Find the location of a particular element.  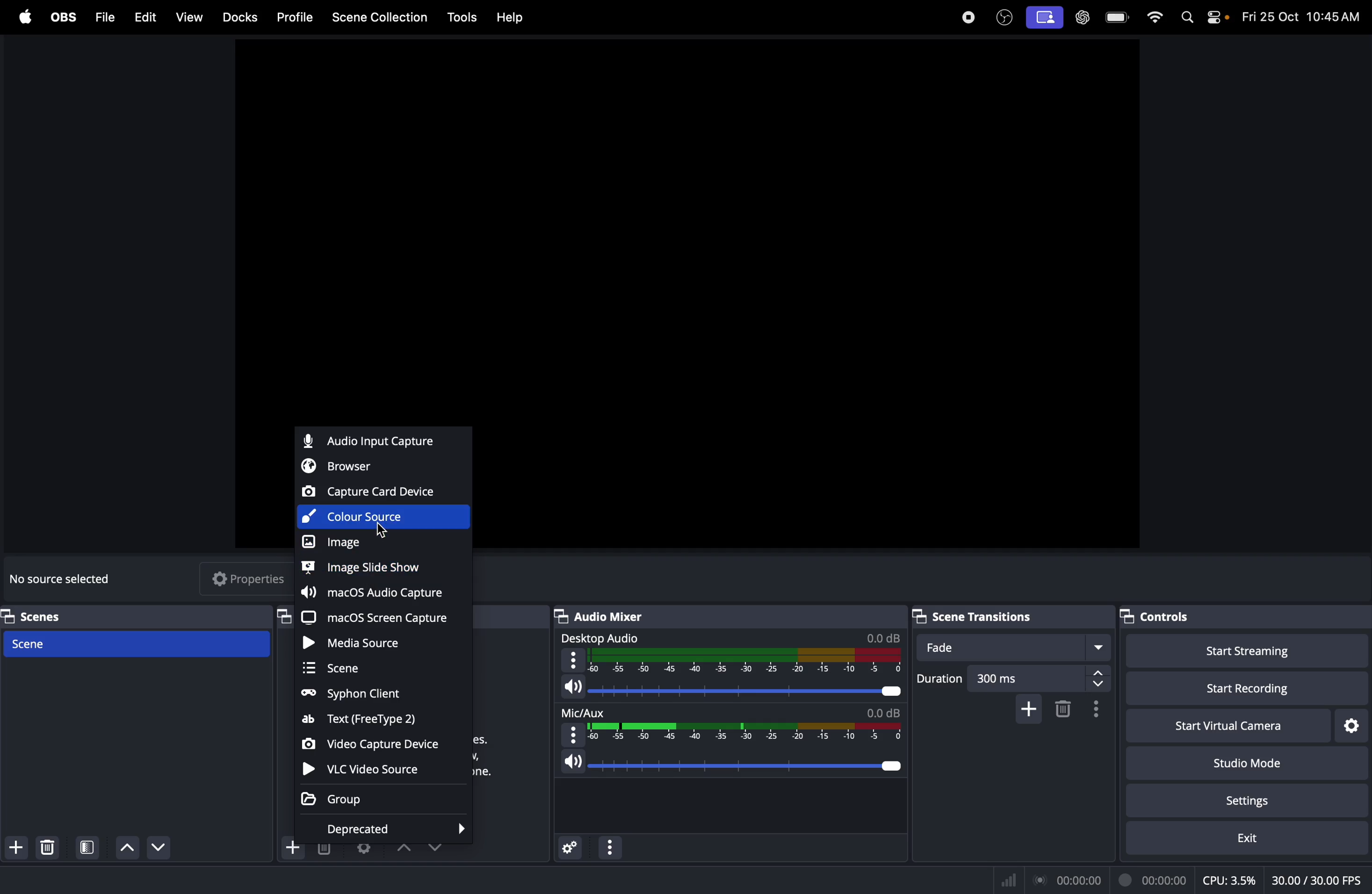

setting is located at coordinates (1259, 798).